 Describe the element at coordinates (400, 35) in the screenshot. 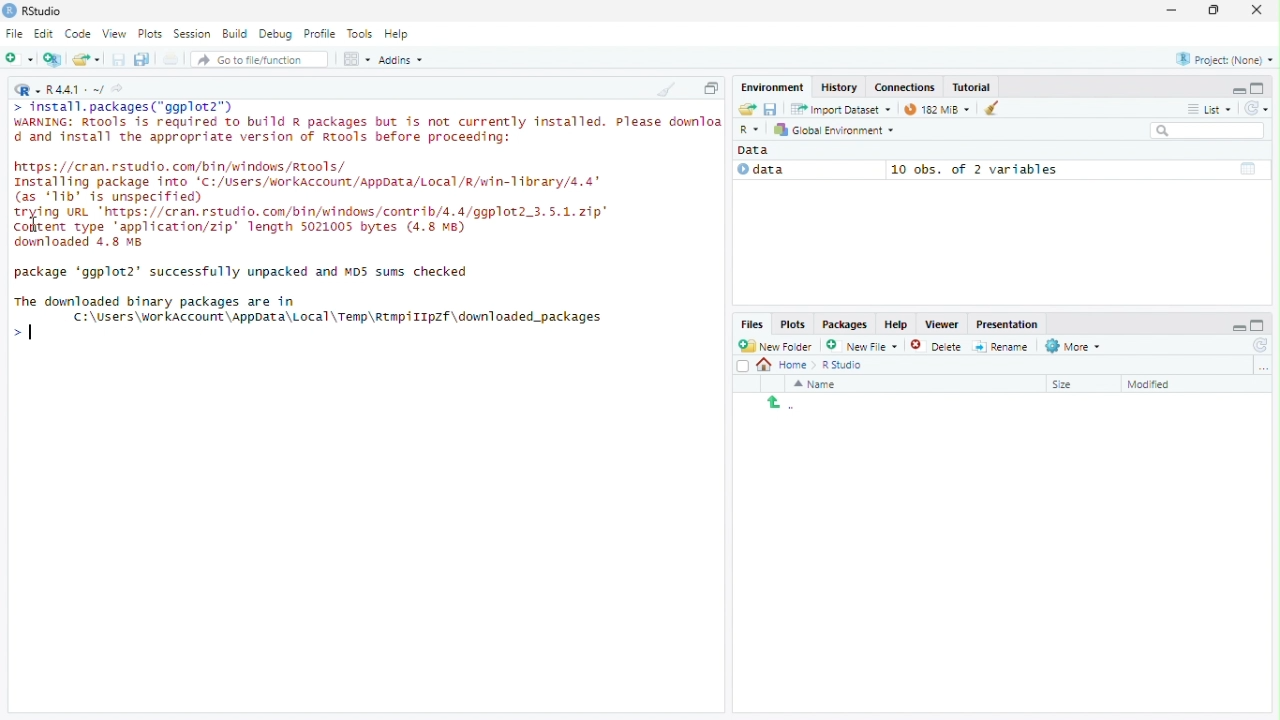

I see `Help` at that location.